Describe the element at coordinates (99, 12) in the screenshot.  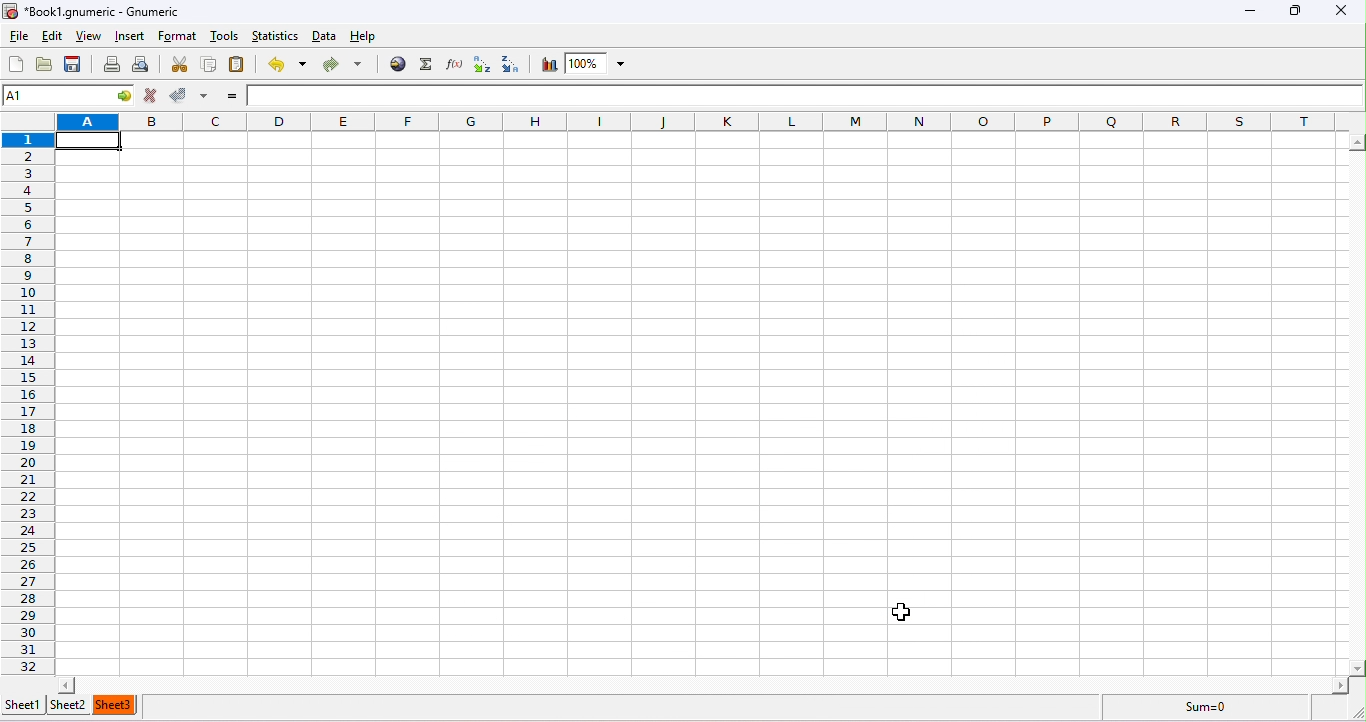
I see `*Book1.gnumeric - numeric` at that location.